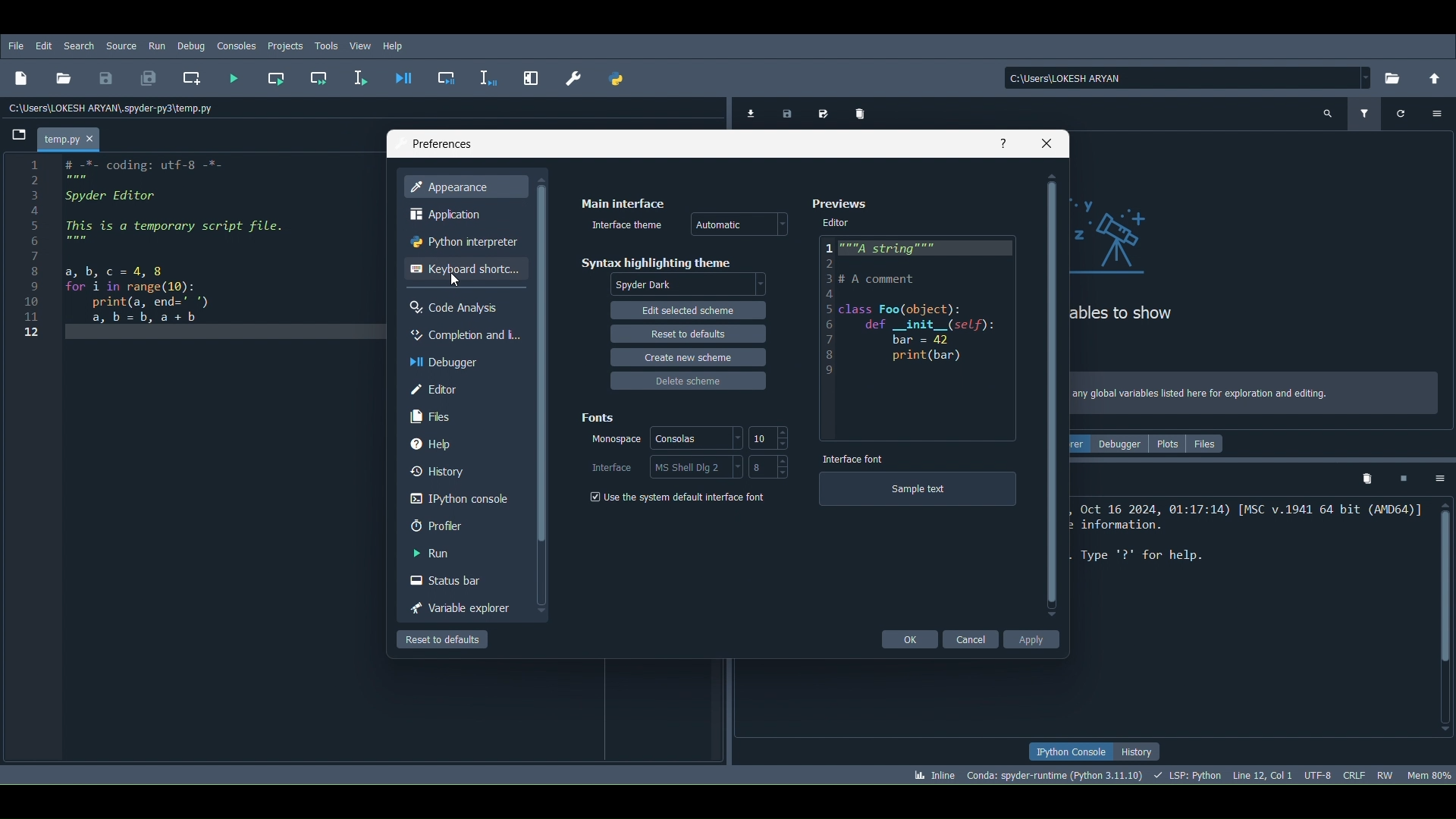 The height and width of the screenshot is (819, 1456). I want to click on Preferences, so click(573, 78).